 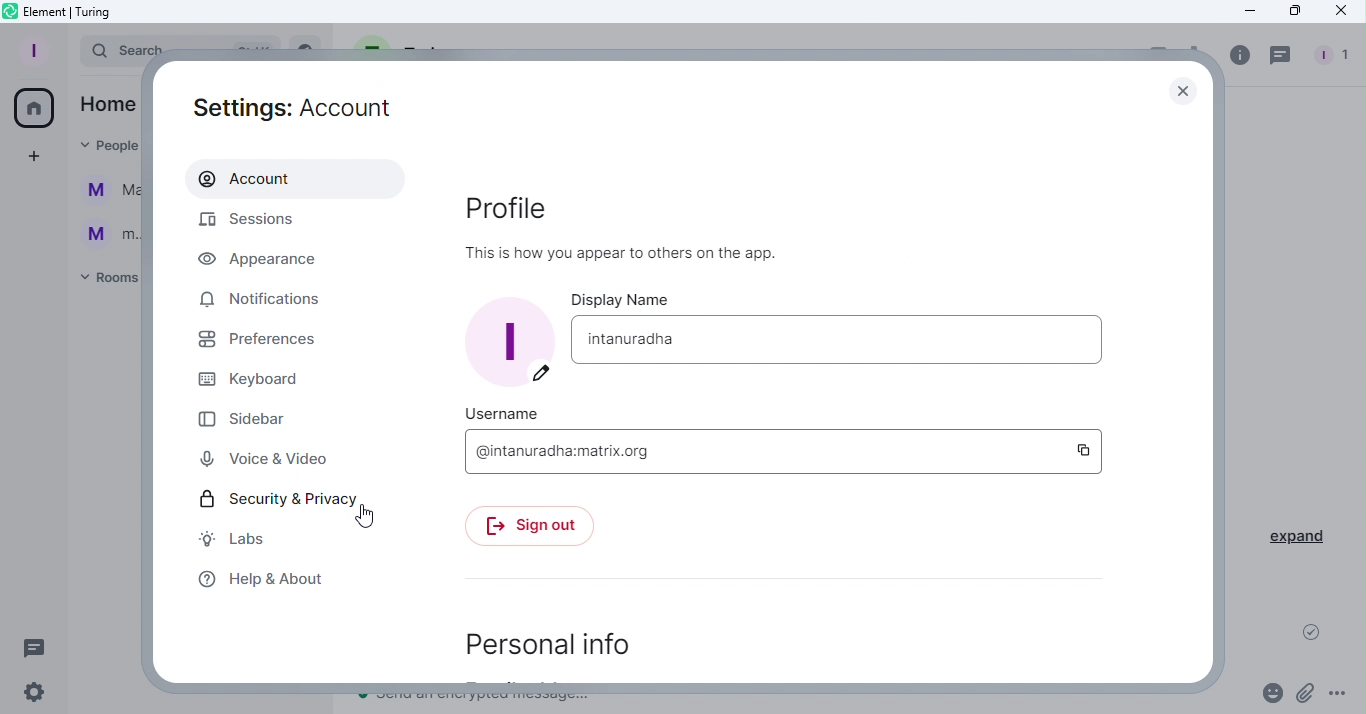 I want to click on Sessions, so click(x=250, y=222).